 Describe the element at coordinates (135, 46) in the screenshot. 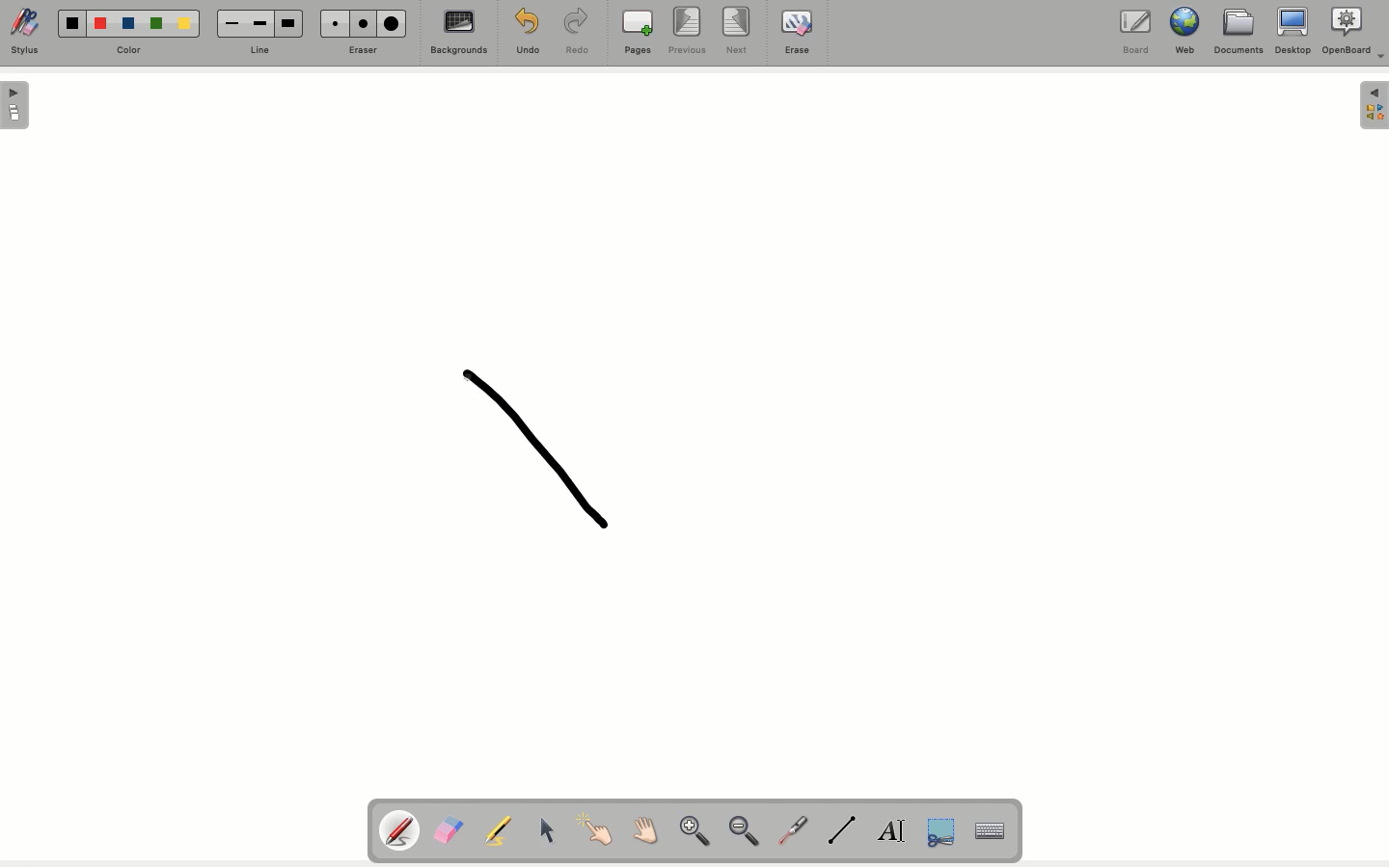

I see `Color` at that location.